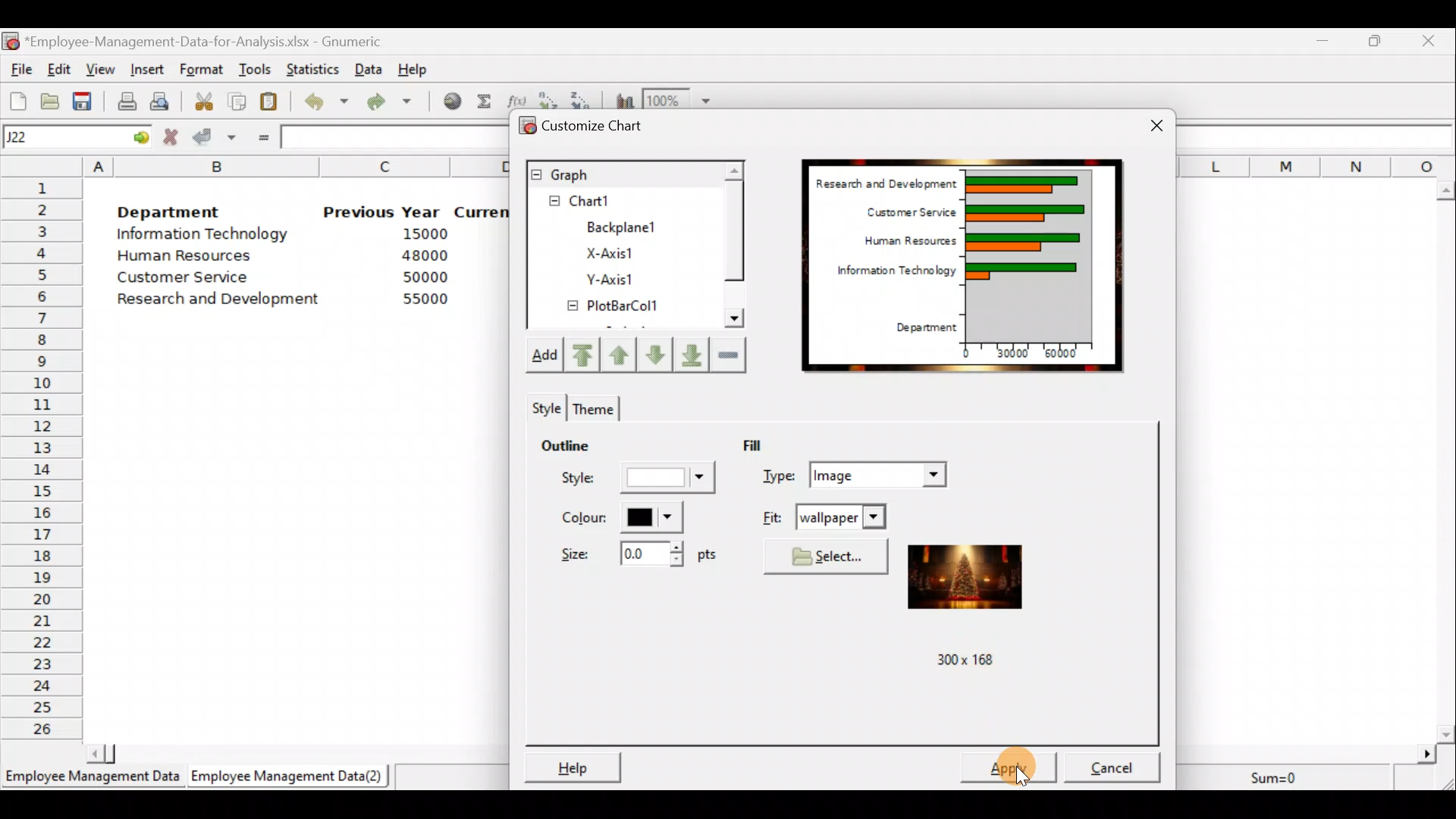 The height and width of the screenshot is (819, 1456). I want to click on Human Resources, so click(196, 257).